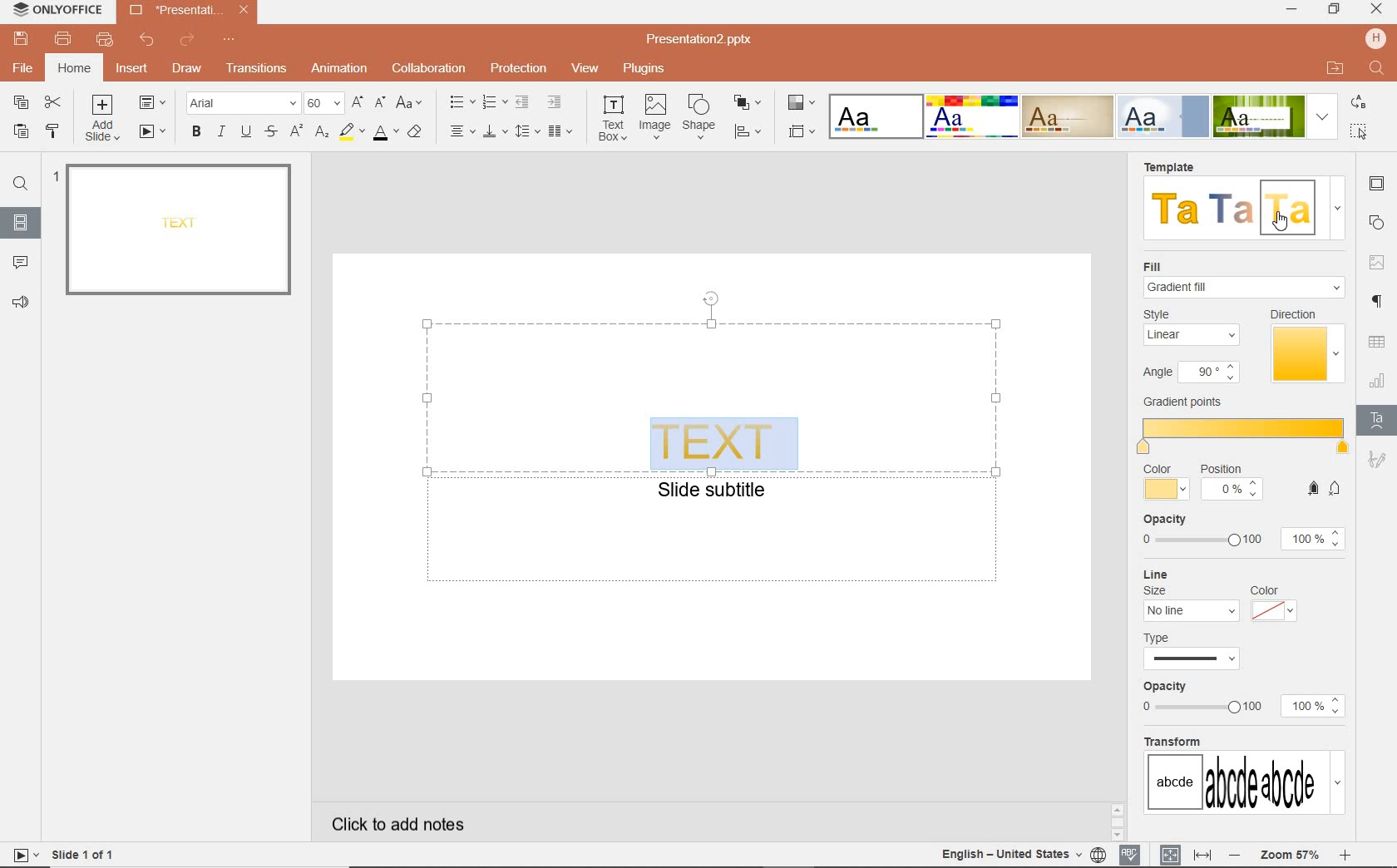 The image size is (1397, 868). I want to click on SYSTEM NAME, so click(55, 9).